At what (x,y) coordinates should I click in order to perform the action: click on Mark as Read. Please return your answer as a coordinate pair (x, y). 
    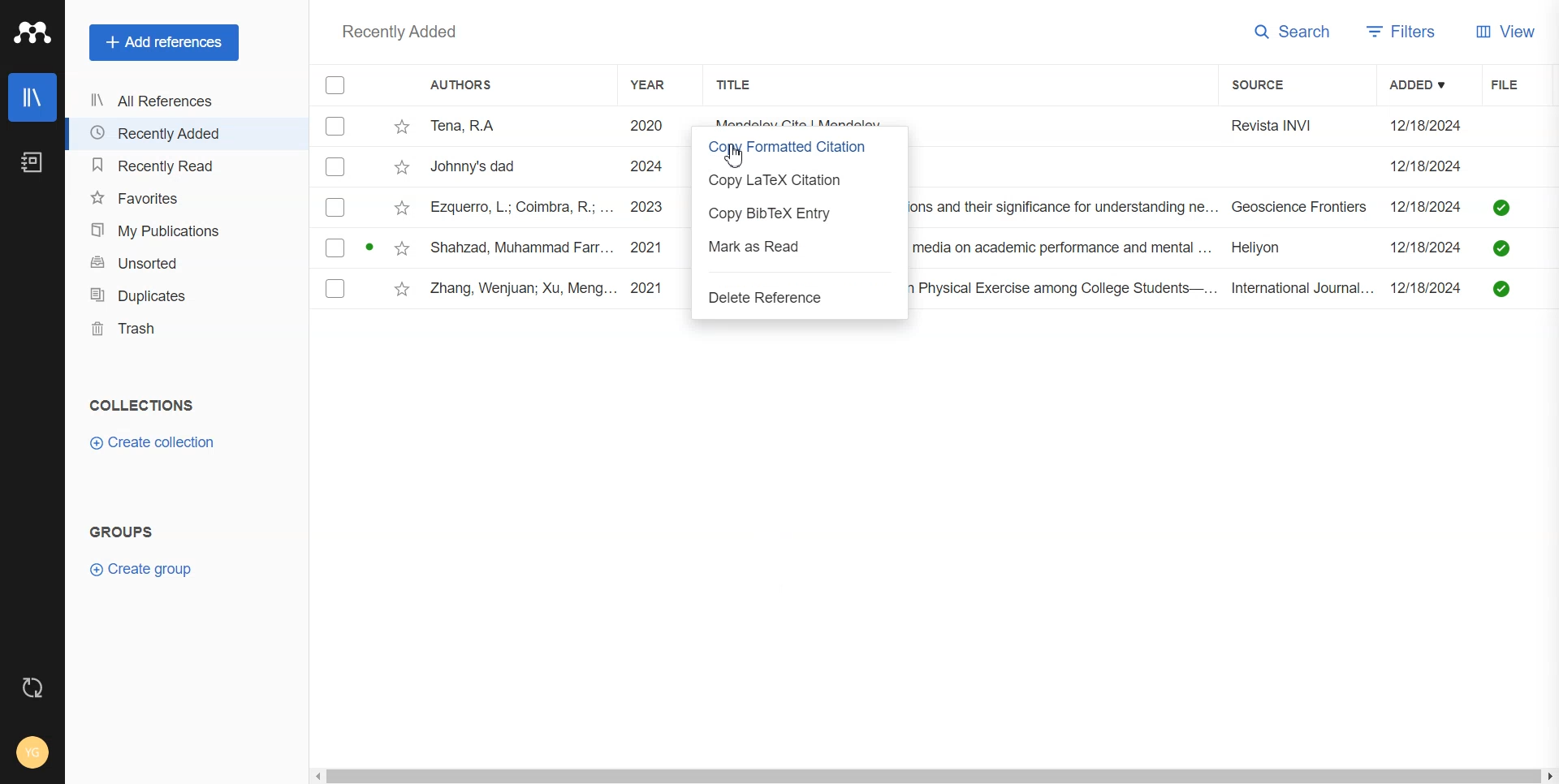
    Looking at the image, I should click on (799, 247).